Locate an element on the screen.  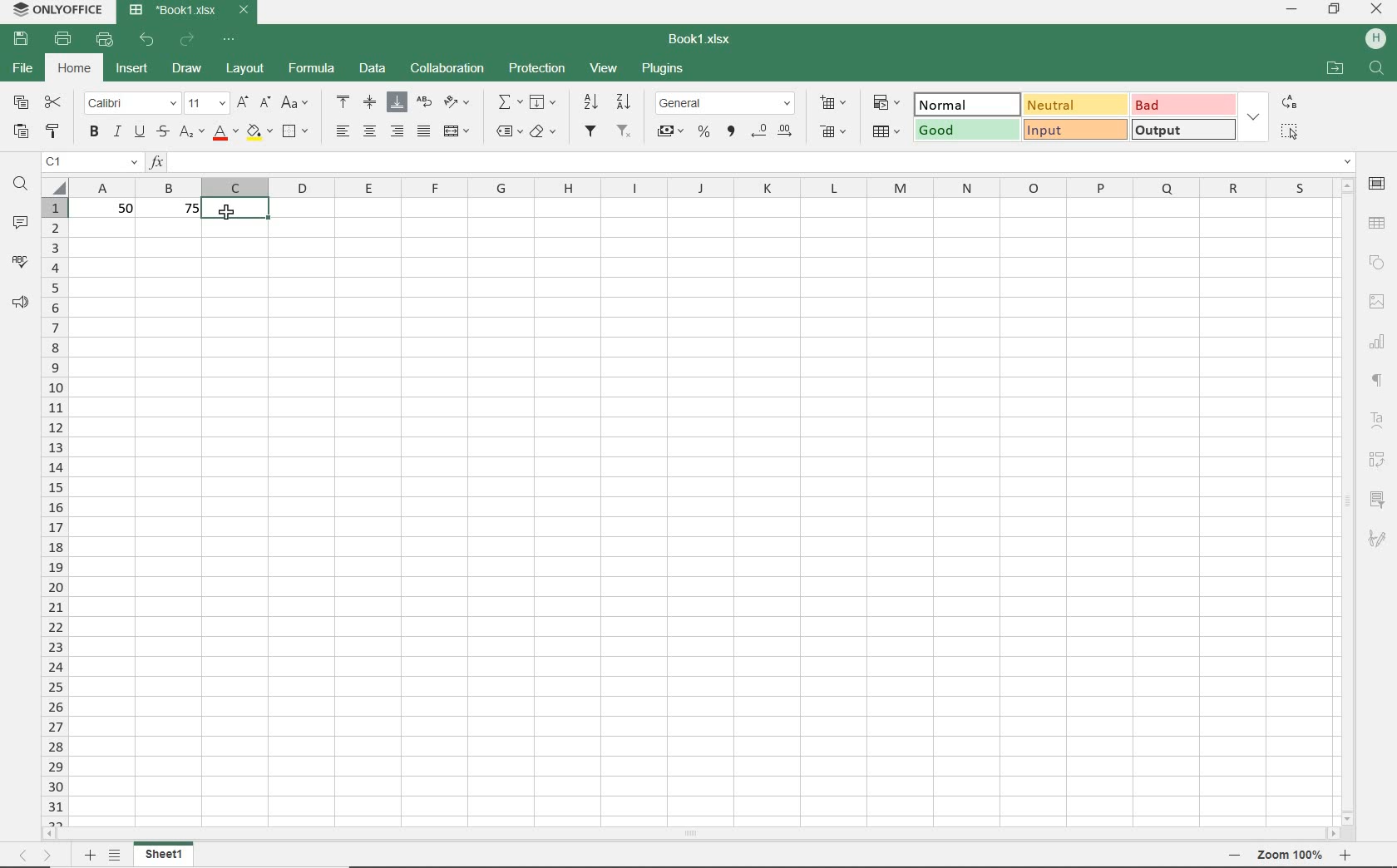
table is located at coordinates (1378, 224).